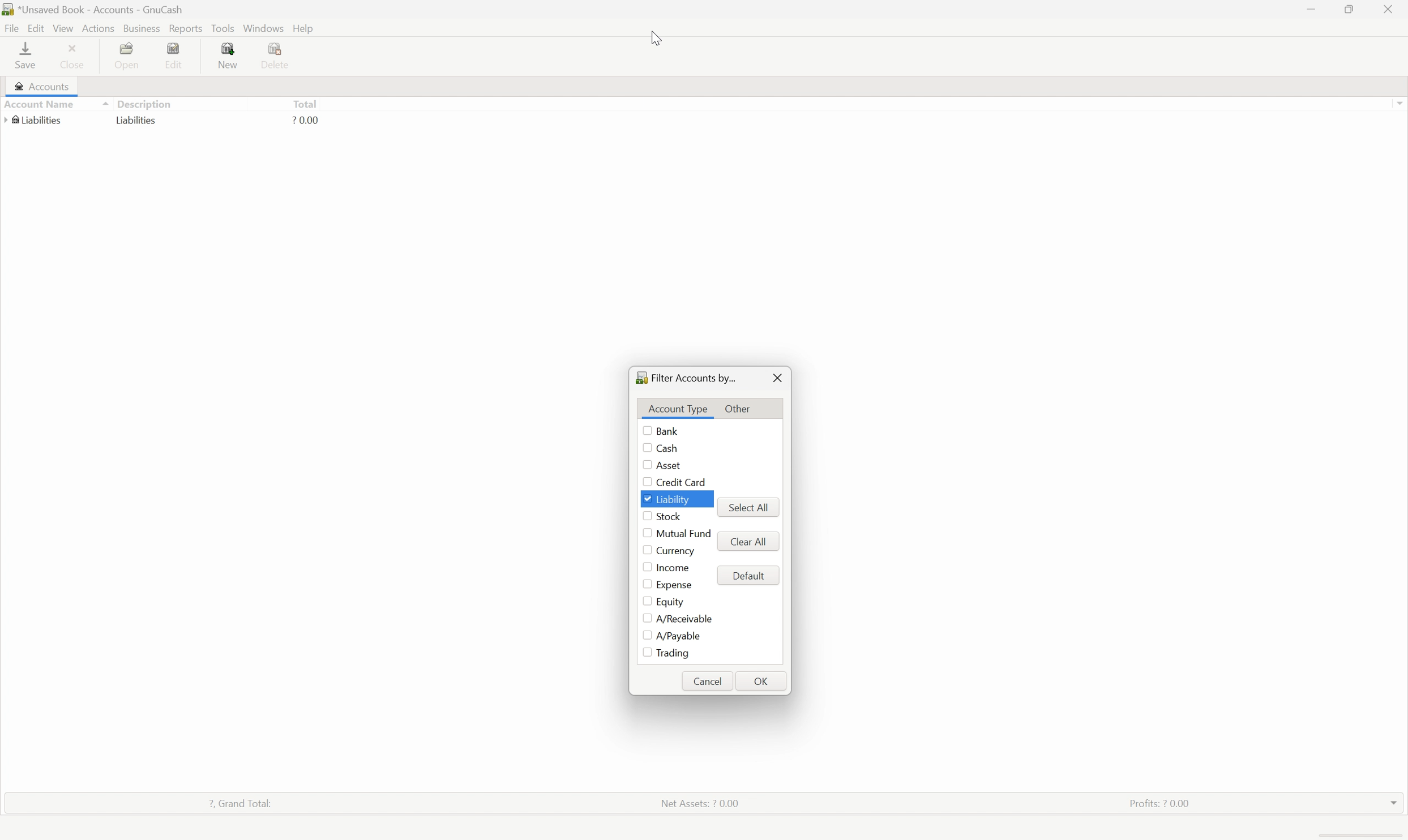 The image size is (1408, 840). I want to click on Mutual fund, so click(684, 534).